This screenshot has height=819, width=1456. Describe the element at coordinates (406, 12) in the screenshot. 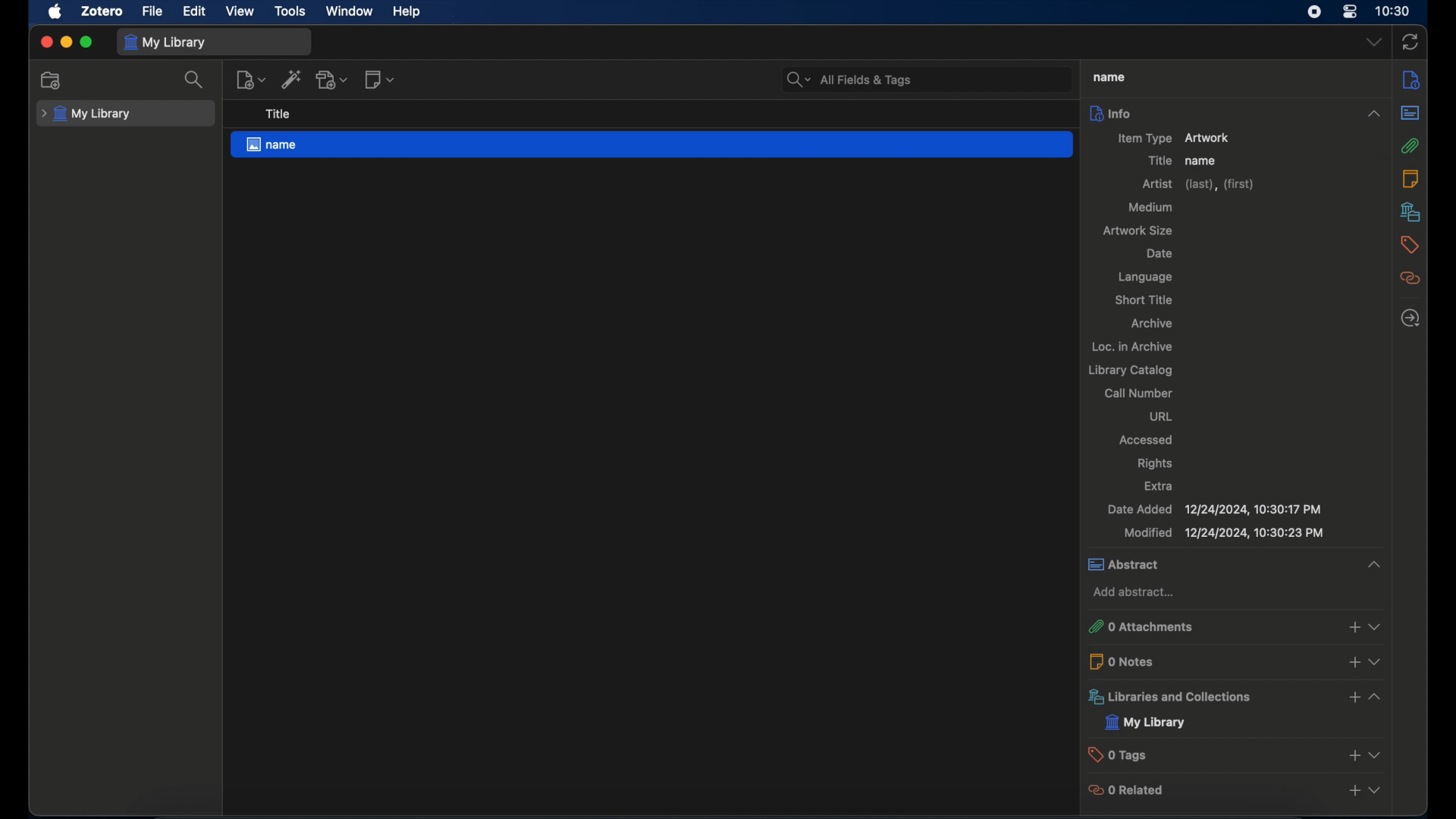

I see `help` at that location.